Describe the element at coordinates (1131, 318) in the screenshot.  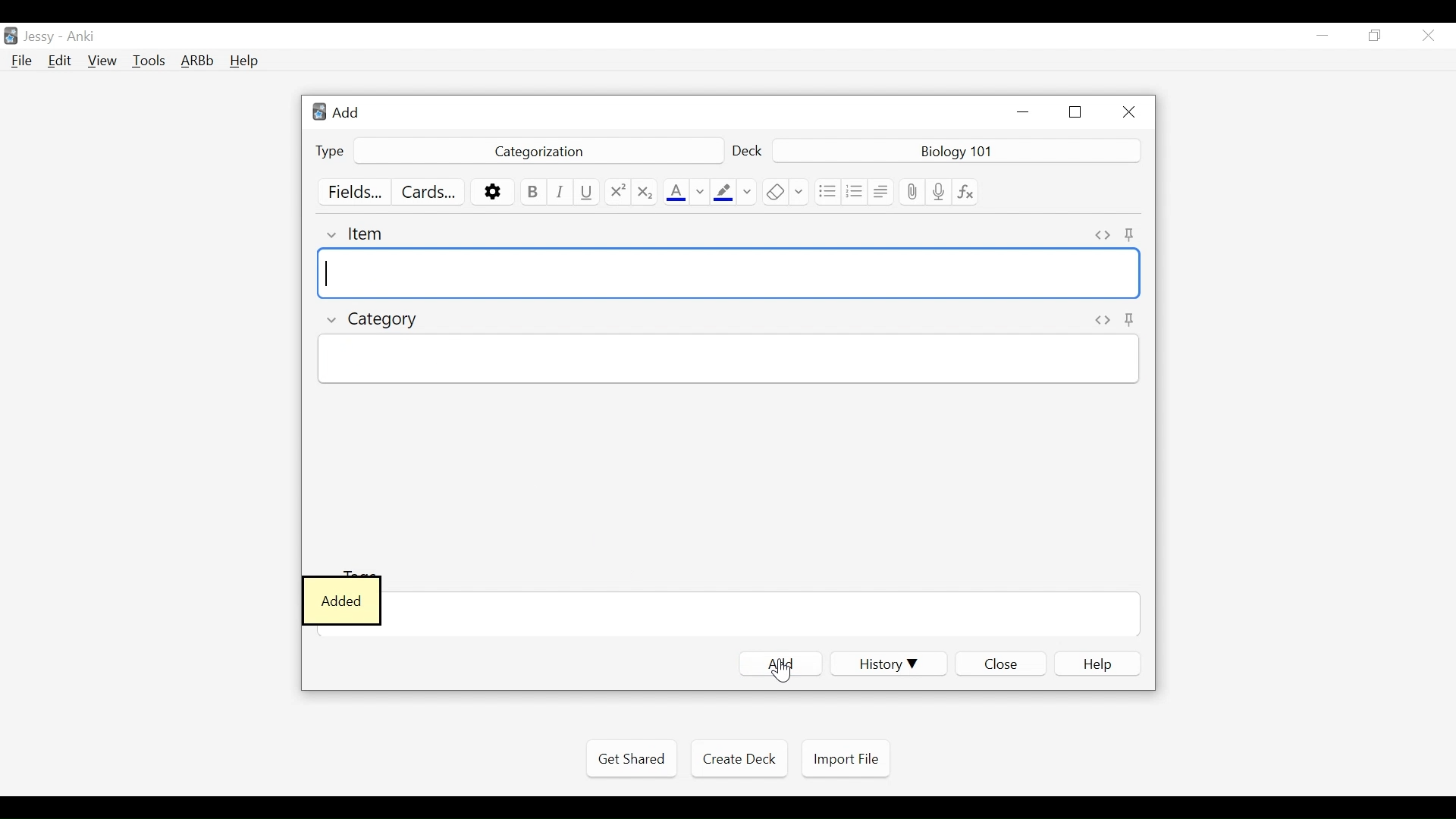
I see `Toggle sticky` at that location.